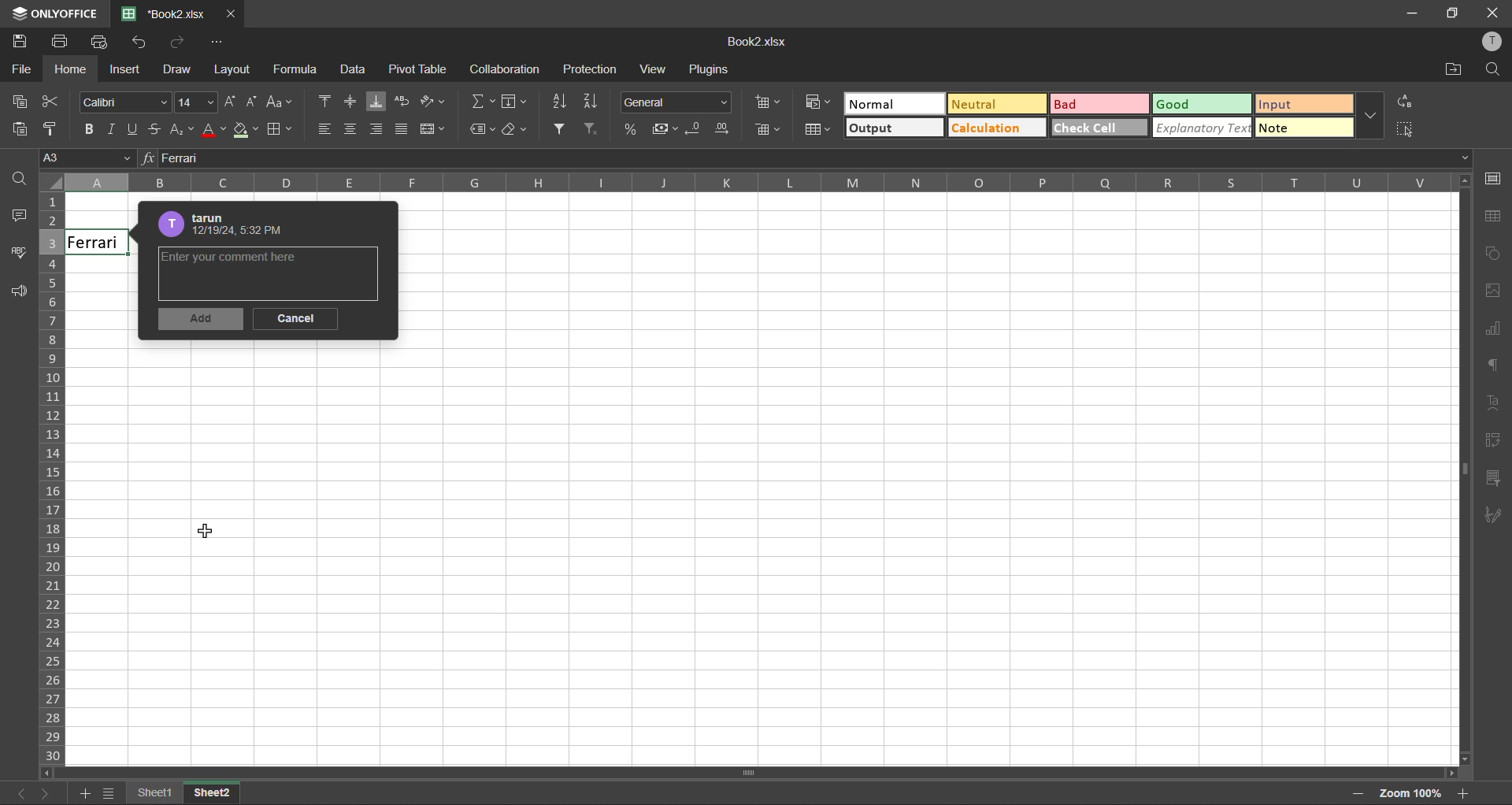 The image size is (1512, 805). I want to click on cancel, so click(295, 319).